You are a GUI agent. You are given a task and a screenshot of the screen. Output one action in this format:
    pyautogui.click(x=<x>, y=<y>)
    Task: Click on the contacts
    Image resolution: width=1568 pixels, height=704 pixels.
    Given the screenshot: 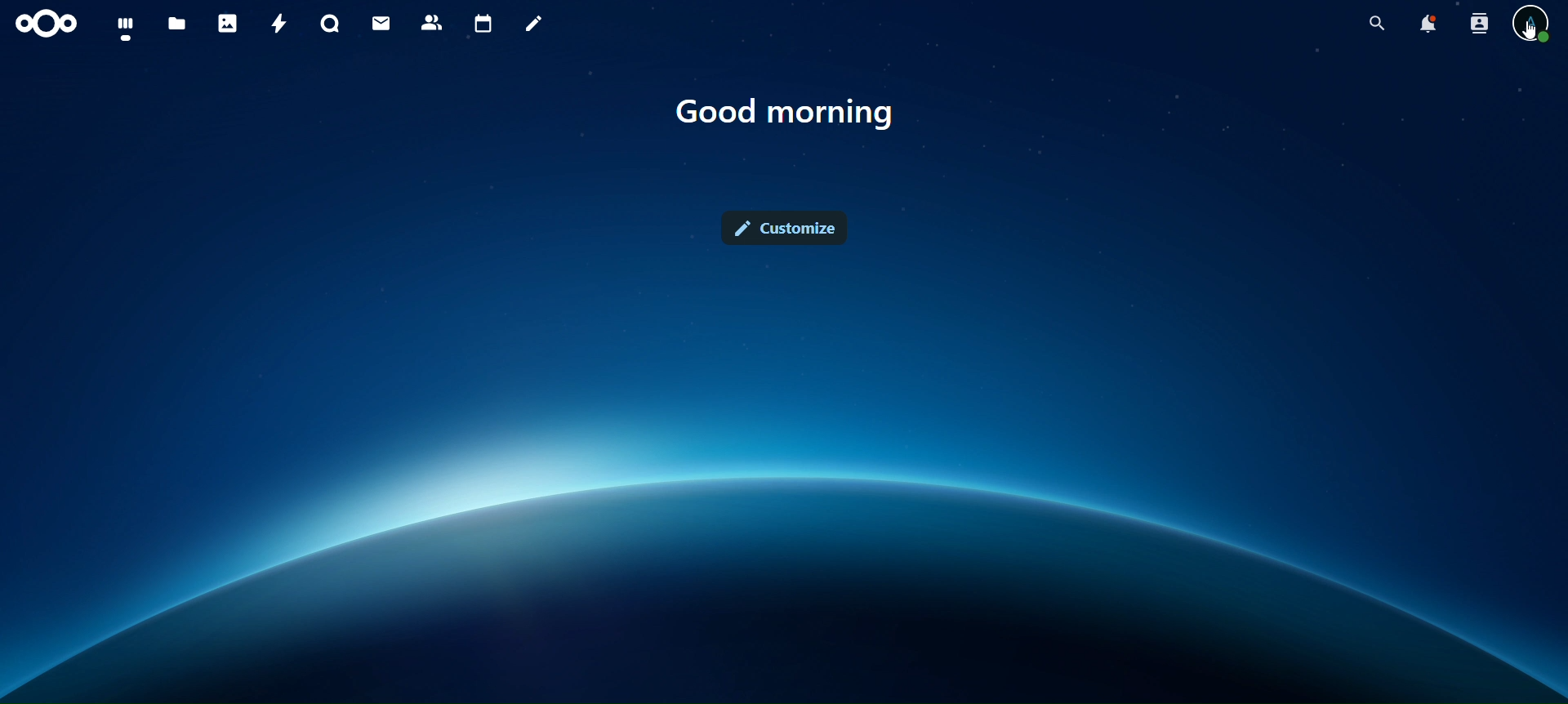 What is the action you would take?
    pyautogui.click(x=433, y=21)
    